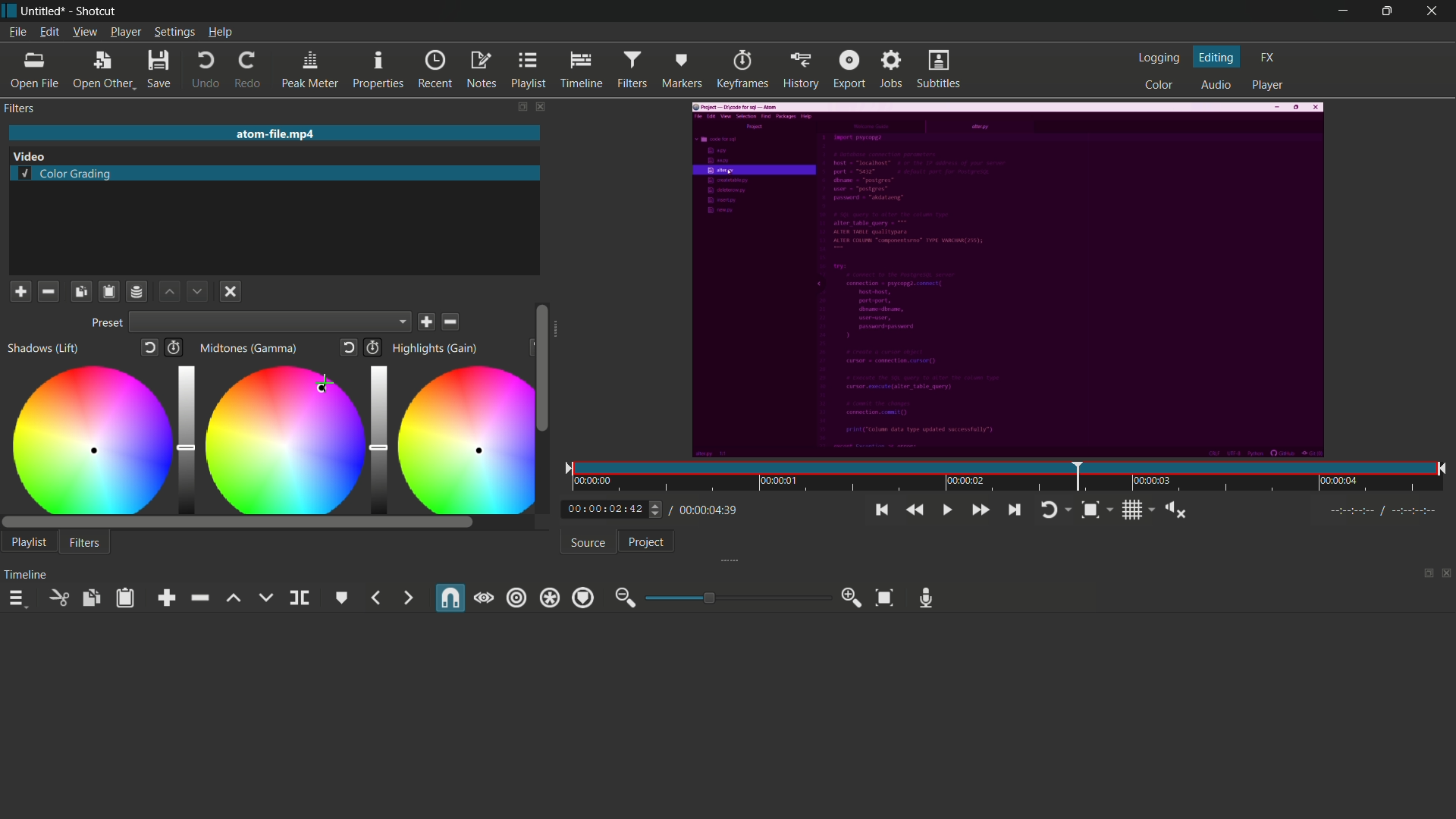 This screenshot has width=1456, height=819. Describe the element at coordinates (137, 291) in the screenshot. I see `Channel` at that location.